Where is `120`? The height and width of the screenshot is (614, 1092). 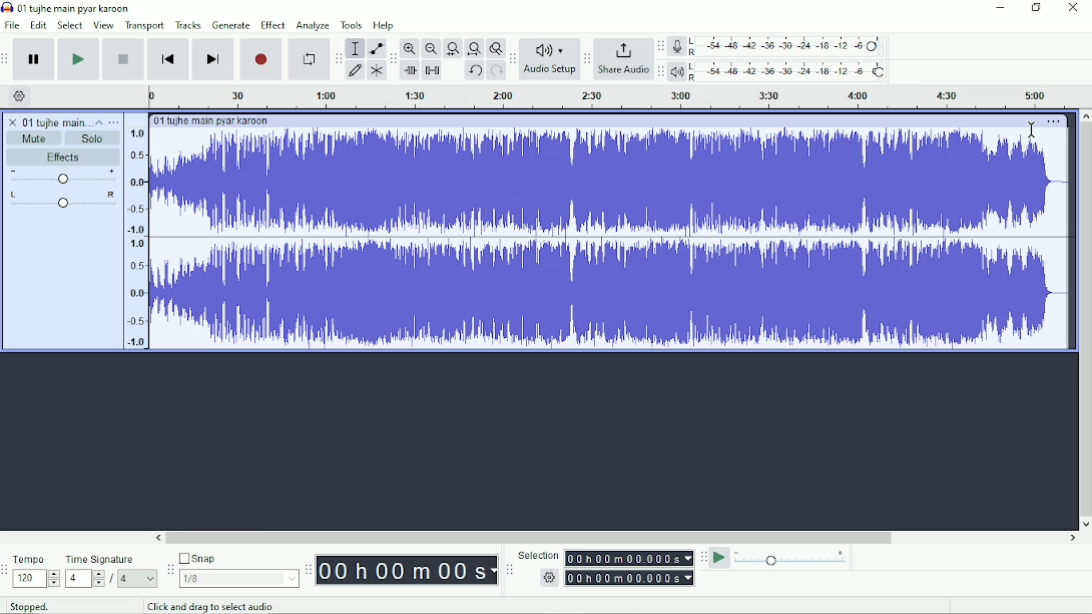 120 is located at coordinates (37, 578).